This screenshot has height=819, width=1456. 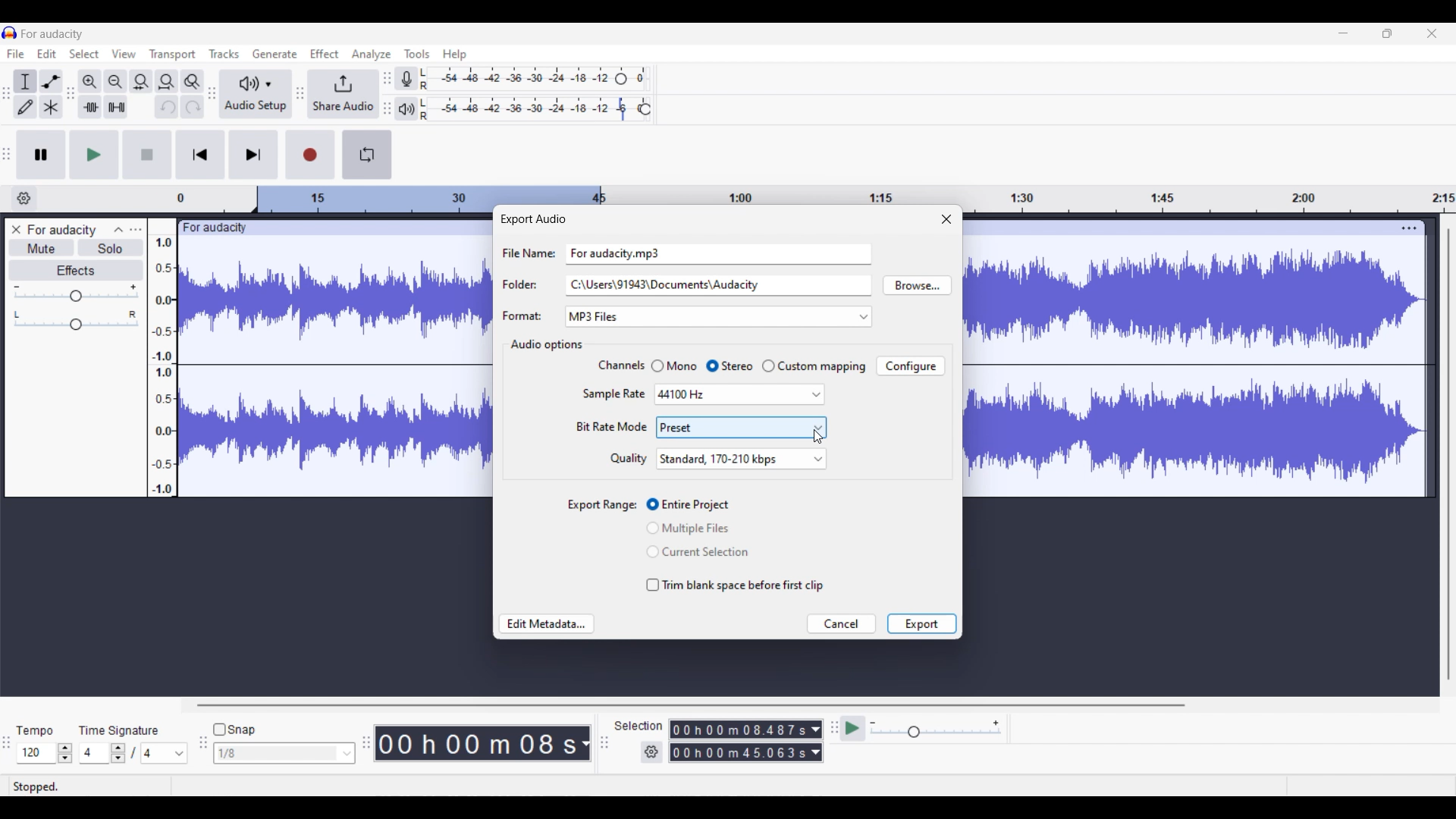 I want to click on Increase/Decrease number, so click(x=118, y=753).